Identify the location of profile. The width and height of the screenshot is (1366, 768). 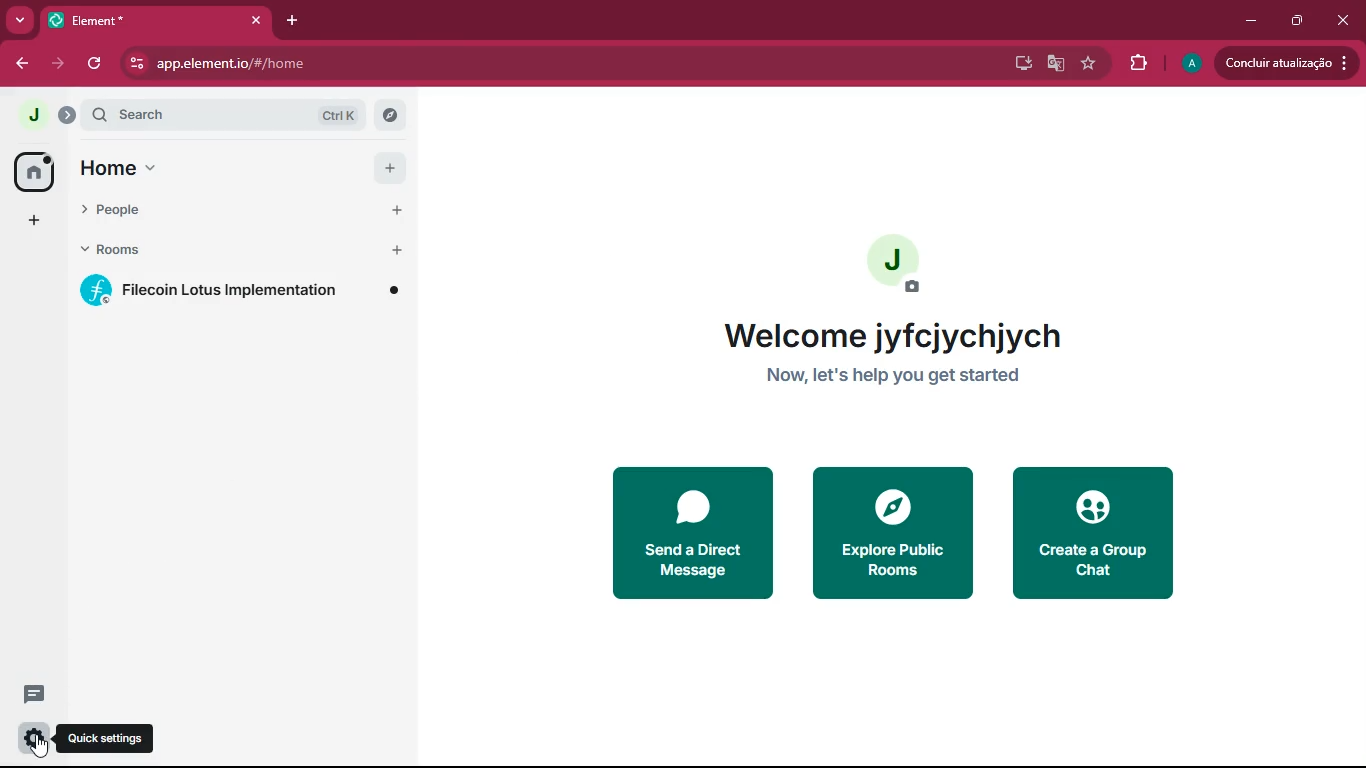
(31, 113).